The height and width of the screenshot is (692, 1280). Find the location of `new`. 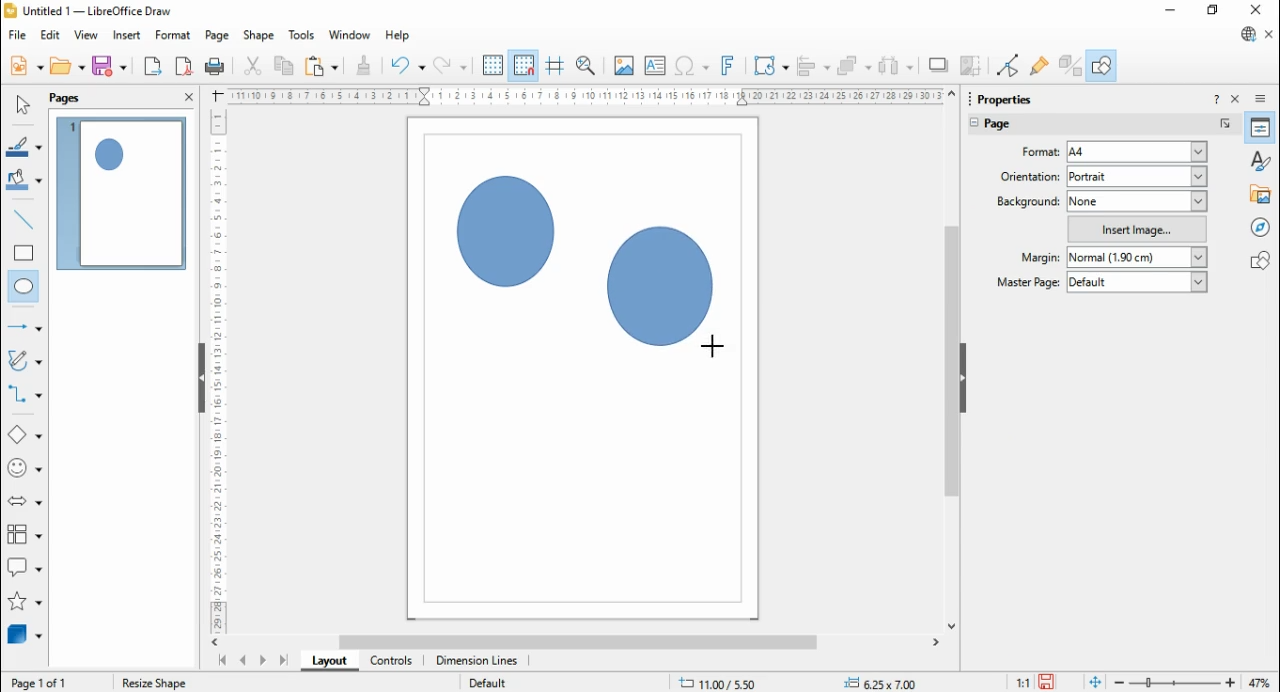

new is located at coordinates (26, 65).